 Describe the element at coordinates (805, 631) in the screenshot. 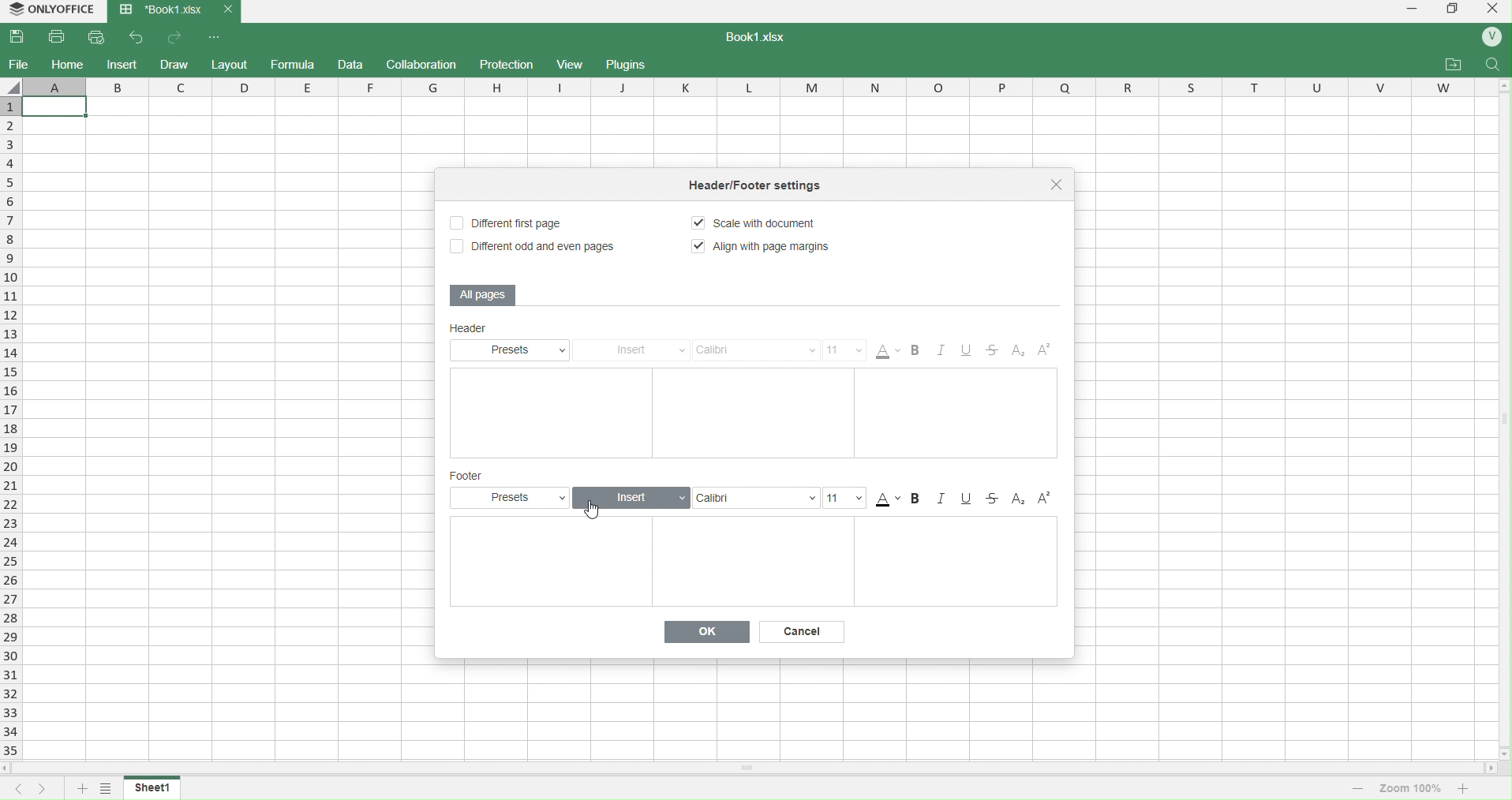

I see `Cancel` at that location.